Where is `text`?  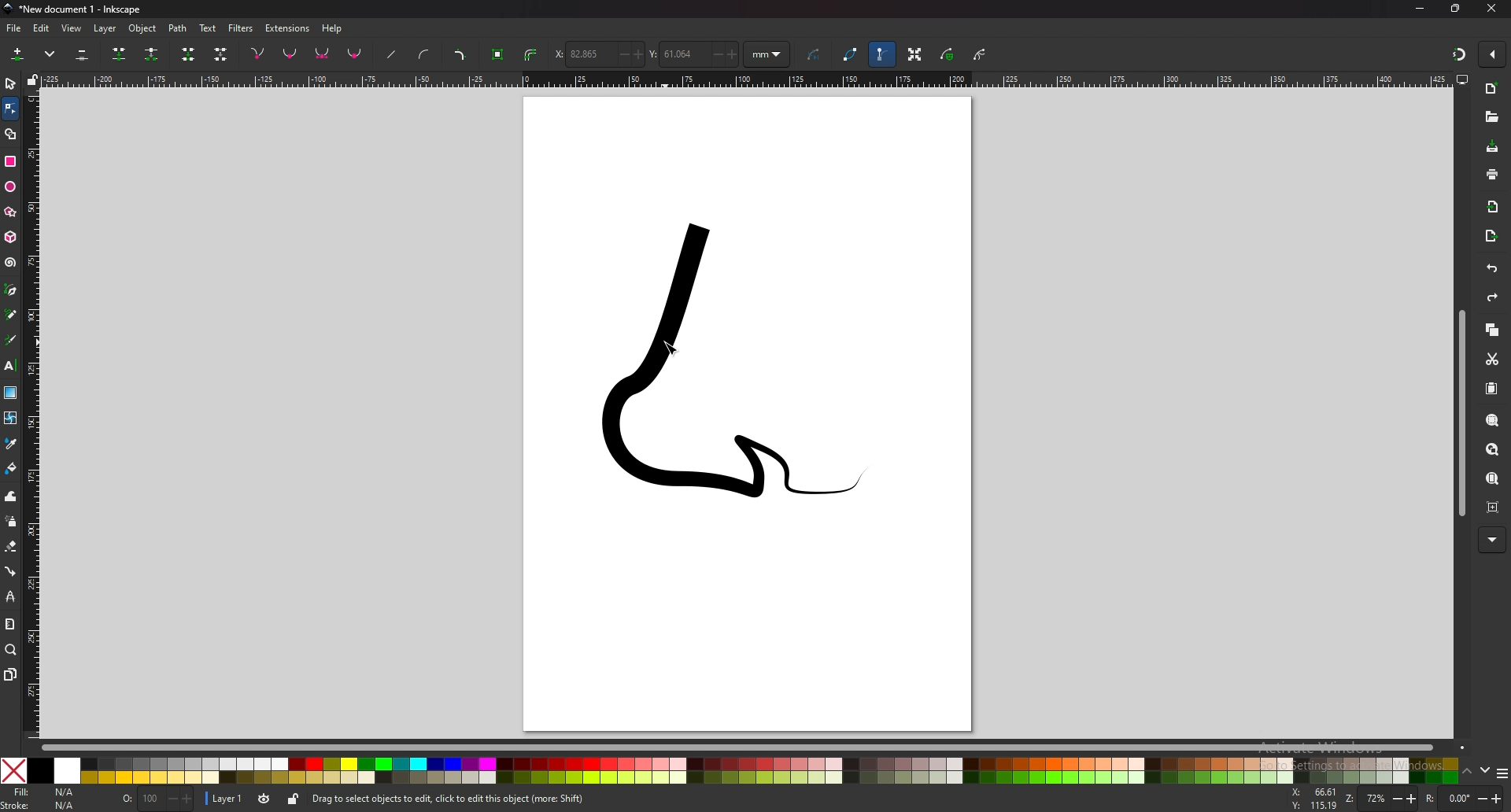 text is located at coordinates (11, 366).